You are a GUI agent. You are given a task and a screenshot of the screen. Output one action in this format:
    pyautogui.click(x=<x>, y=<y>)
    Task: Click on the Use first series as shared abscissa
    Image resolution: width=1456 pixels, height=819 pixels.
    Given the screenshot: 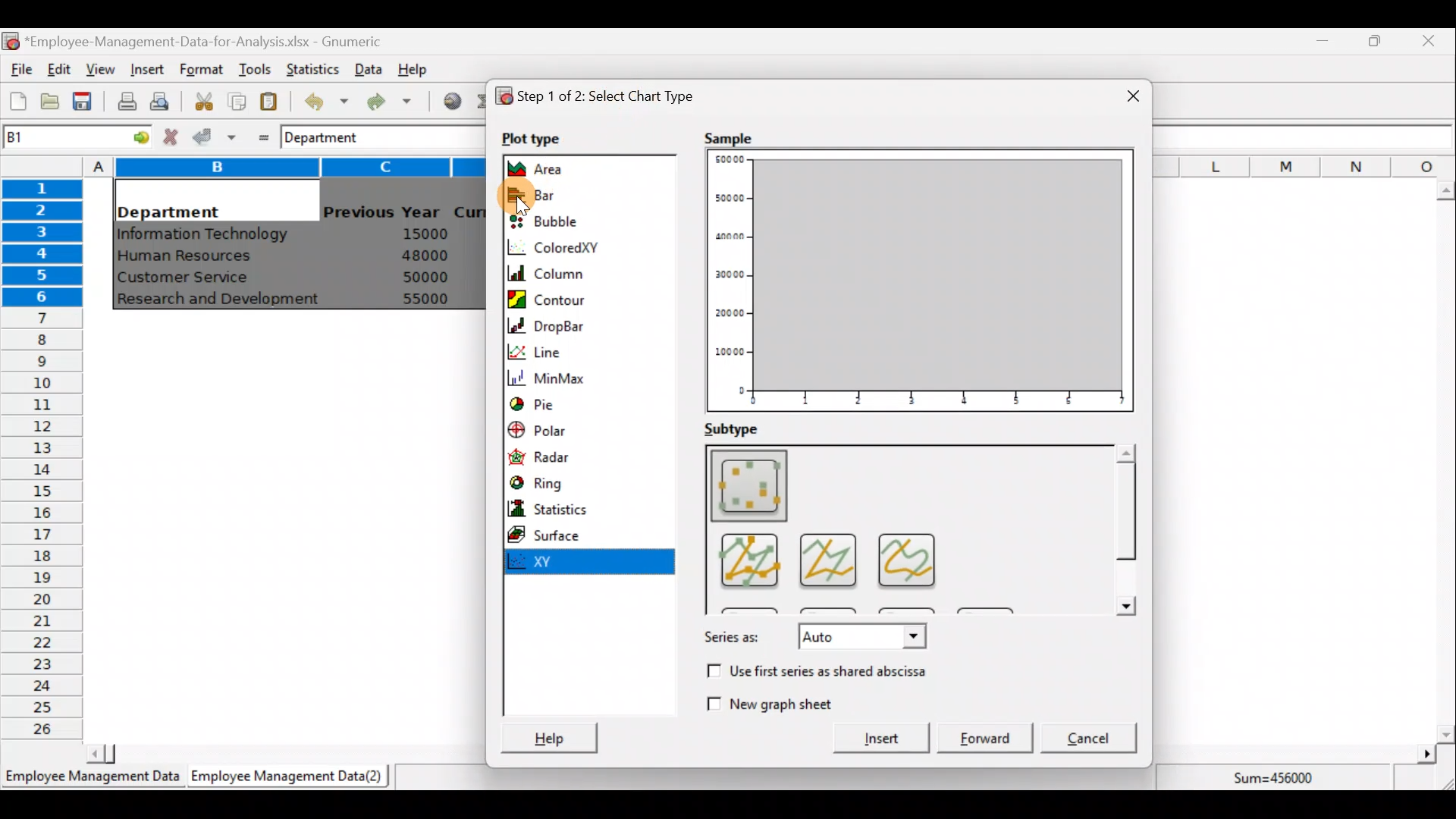 What is the action you would take?
    pyautogui.click(x=816, y=673)
    